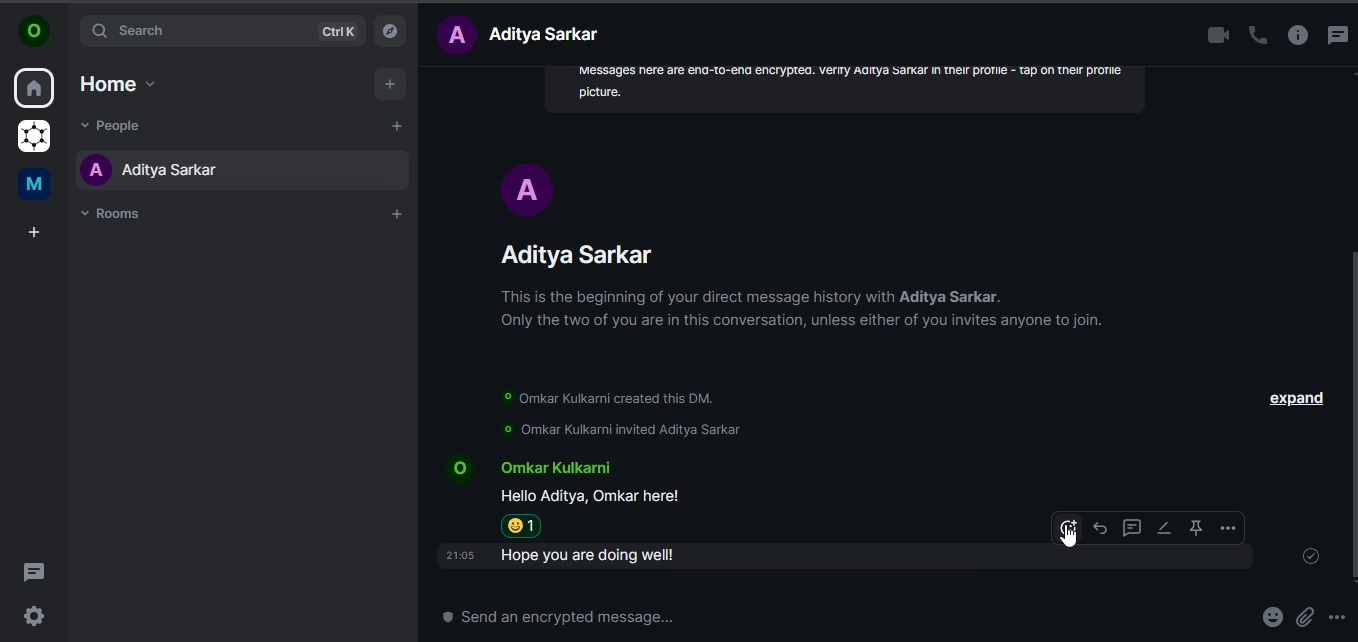 The height and width of the screenshot is (642, 1358). I want to click on scroll bar, so click(1350, 414).